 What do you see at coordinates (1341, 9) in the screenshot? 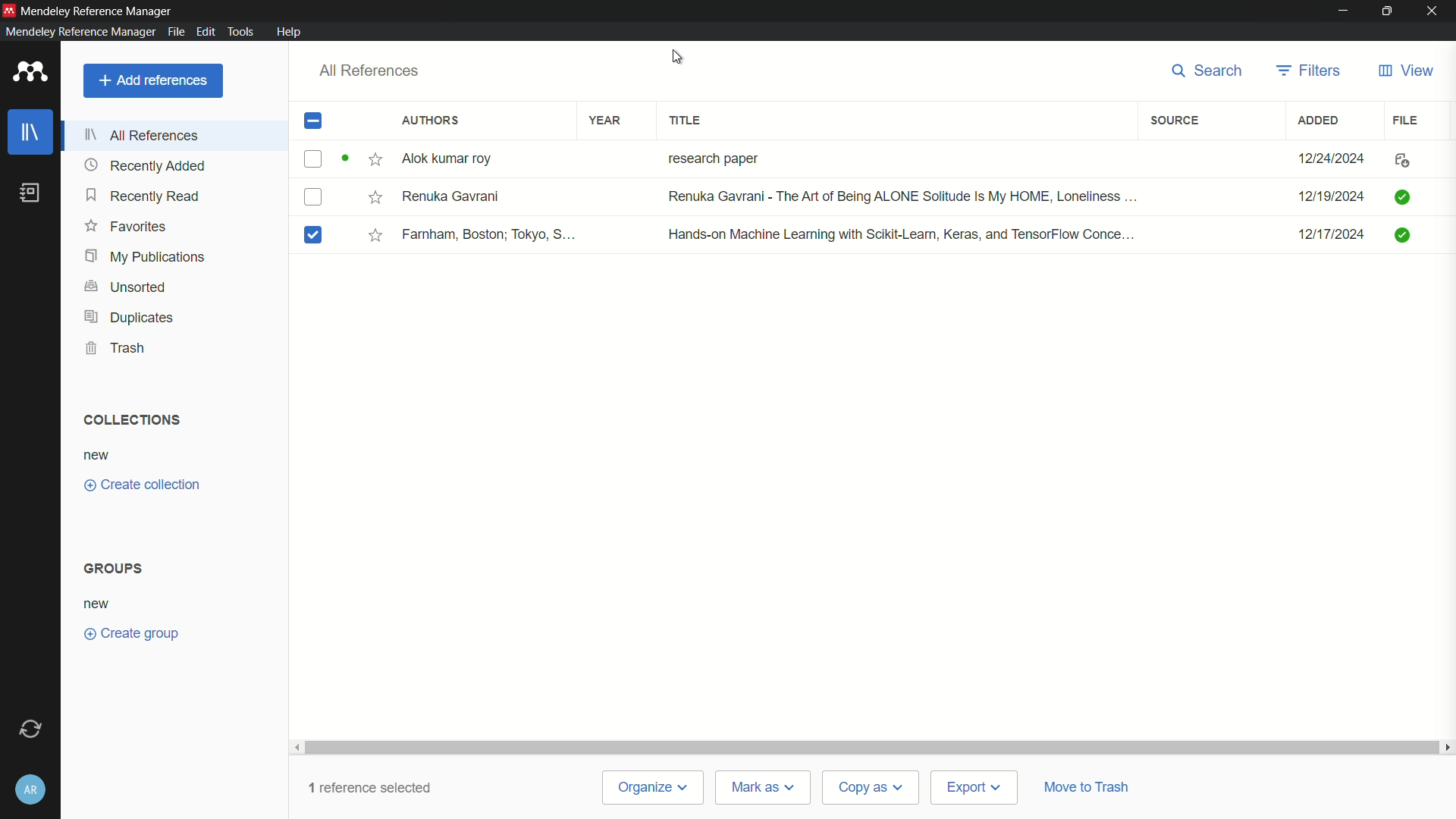
I see `minimize` at bounding box center [1341, 9].